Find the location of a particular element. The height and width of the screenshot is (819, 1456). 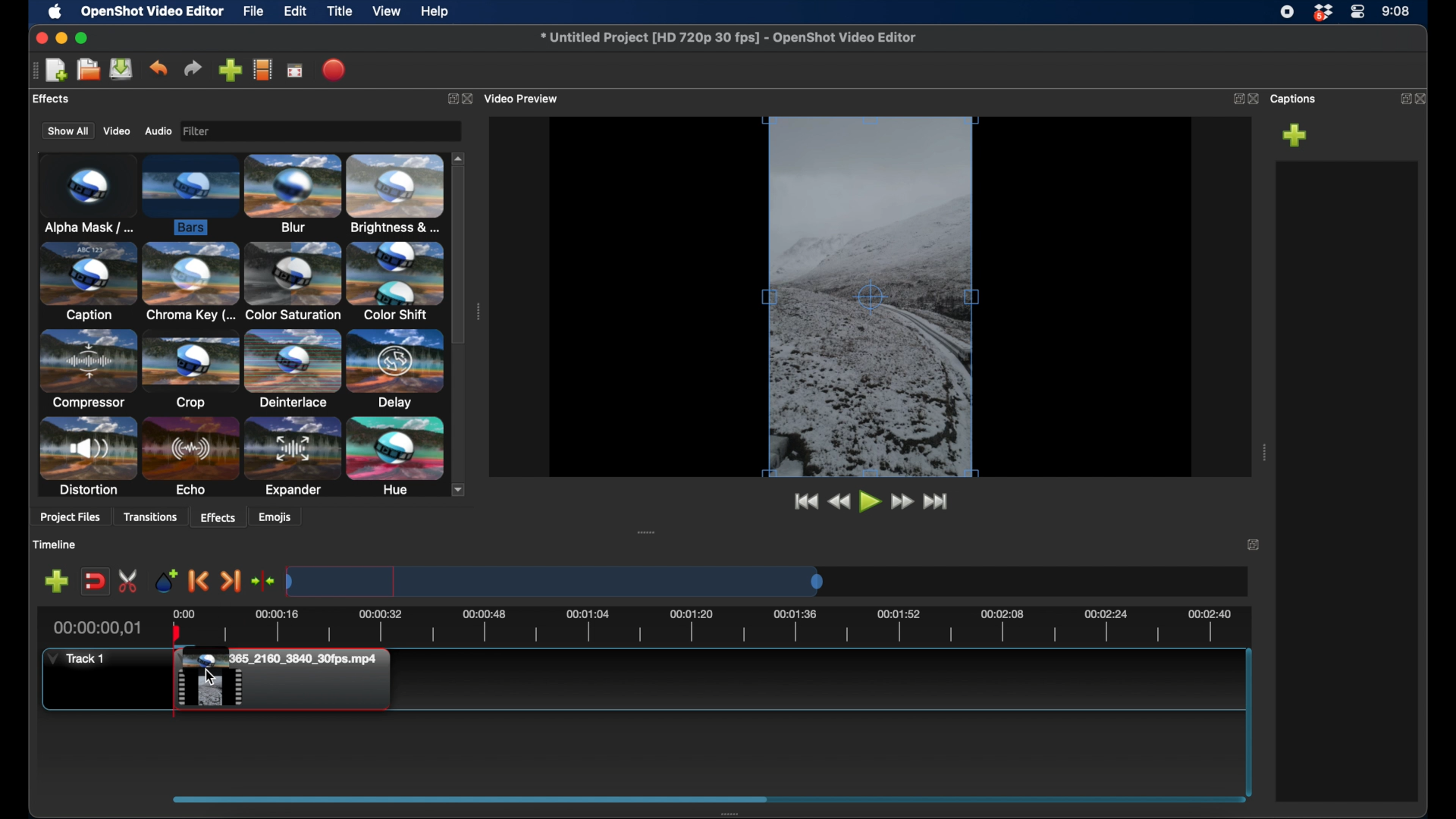

track 1 is located at coordinates (76, 657).